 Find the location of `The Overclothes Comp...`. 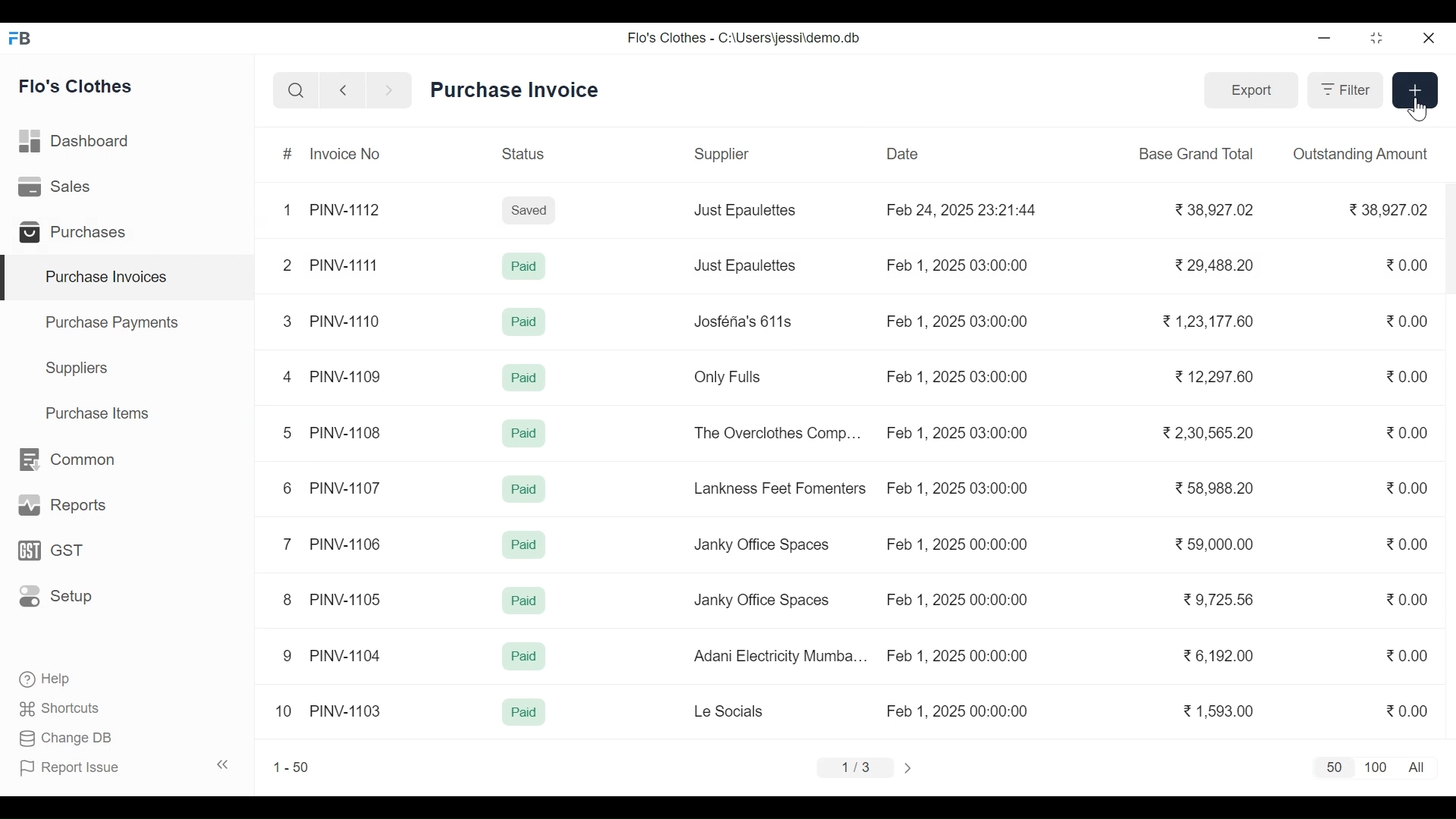

The Overclothes Comp... is located at coordinates (778, 433).